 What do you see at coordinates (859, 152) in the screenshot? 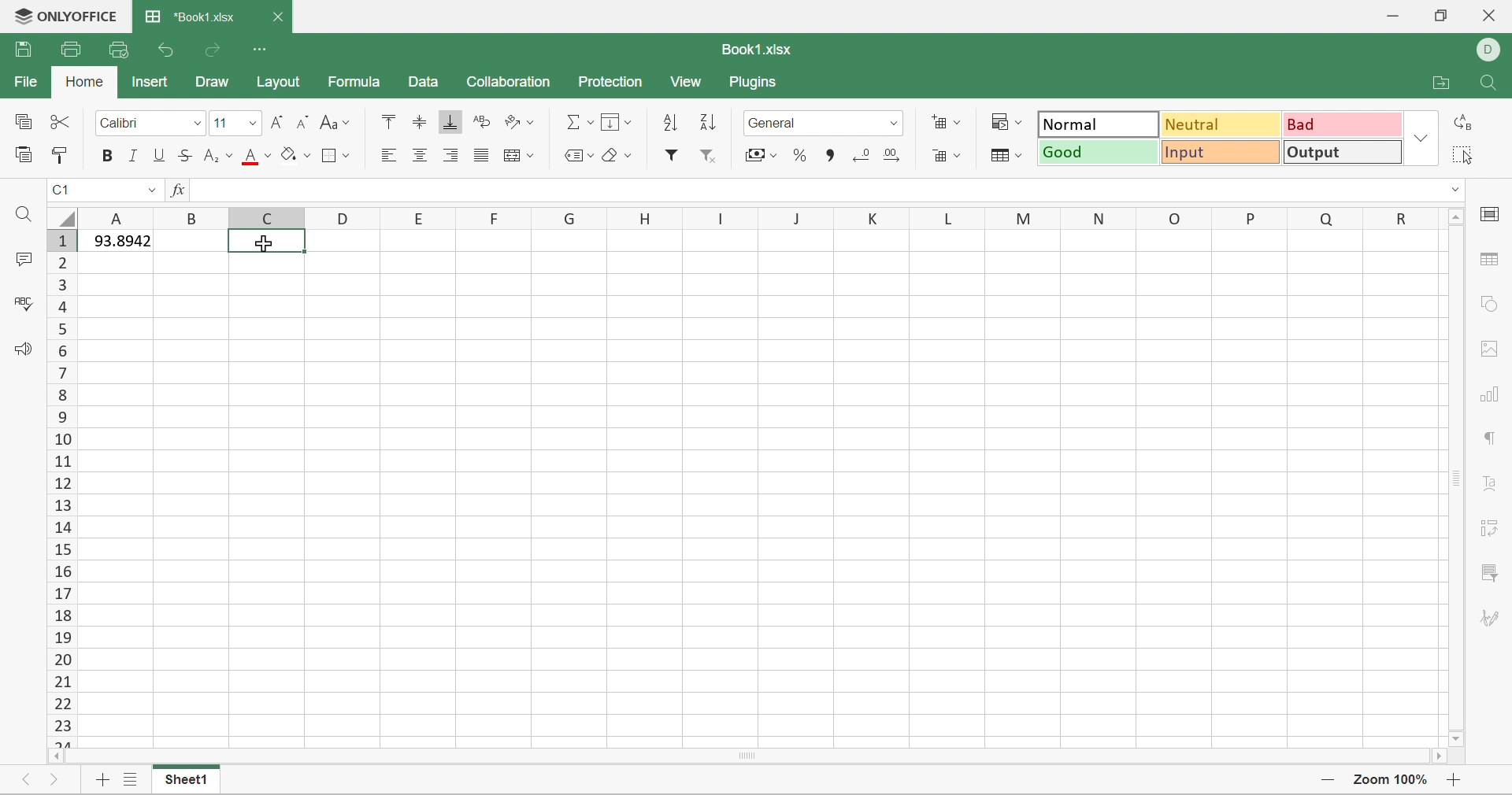
I see `Decrease decimal` at bounding box center [859, 152].